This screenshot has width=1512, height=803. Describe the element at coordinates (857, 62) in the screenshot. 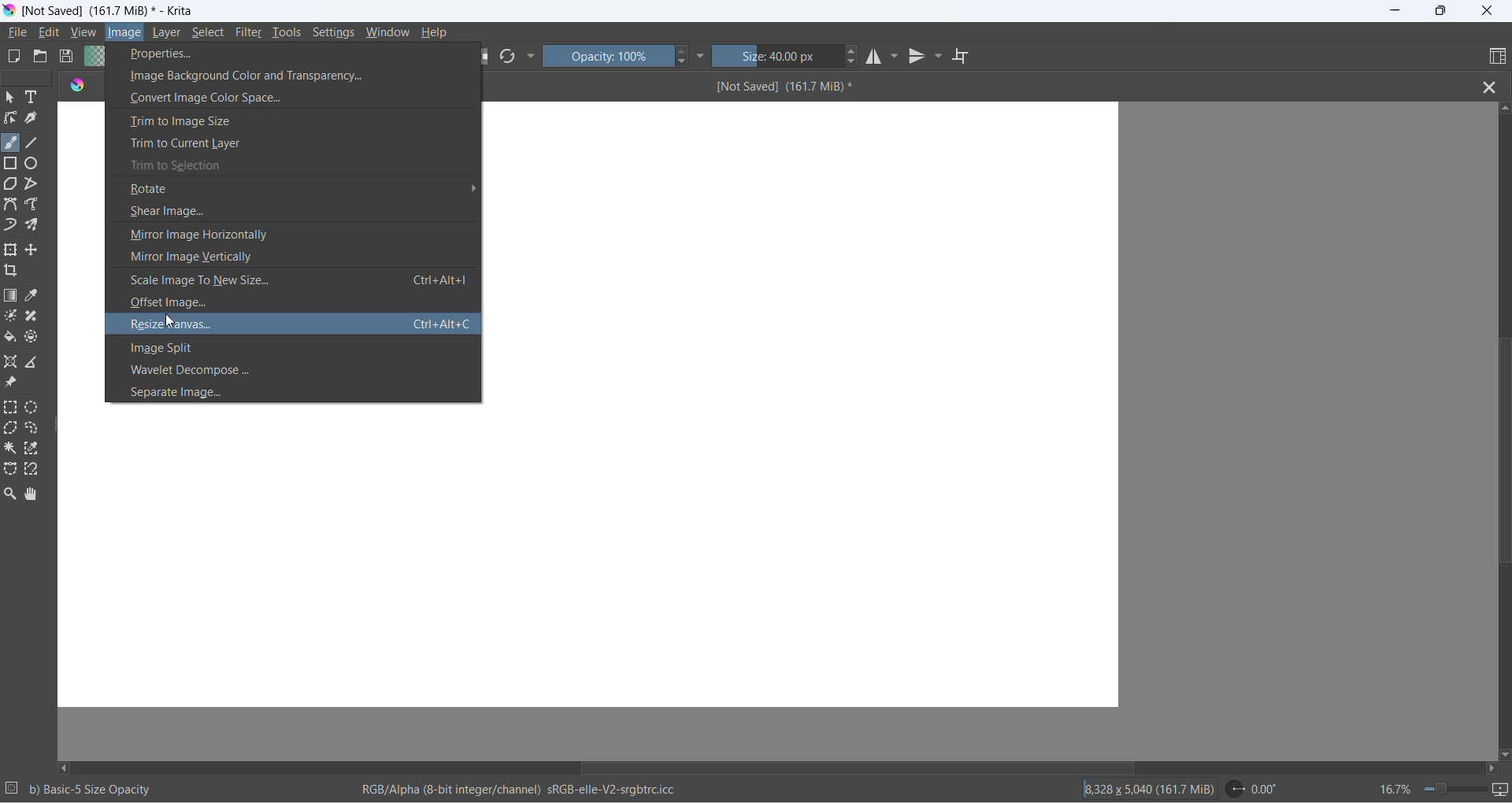

I see `decrement size` at that location.